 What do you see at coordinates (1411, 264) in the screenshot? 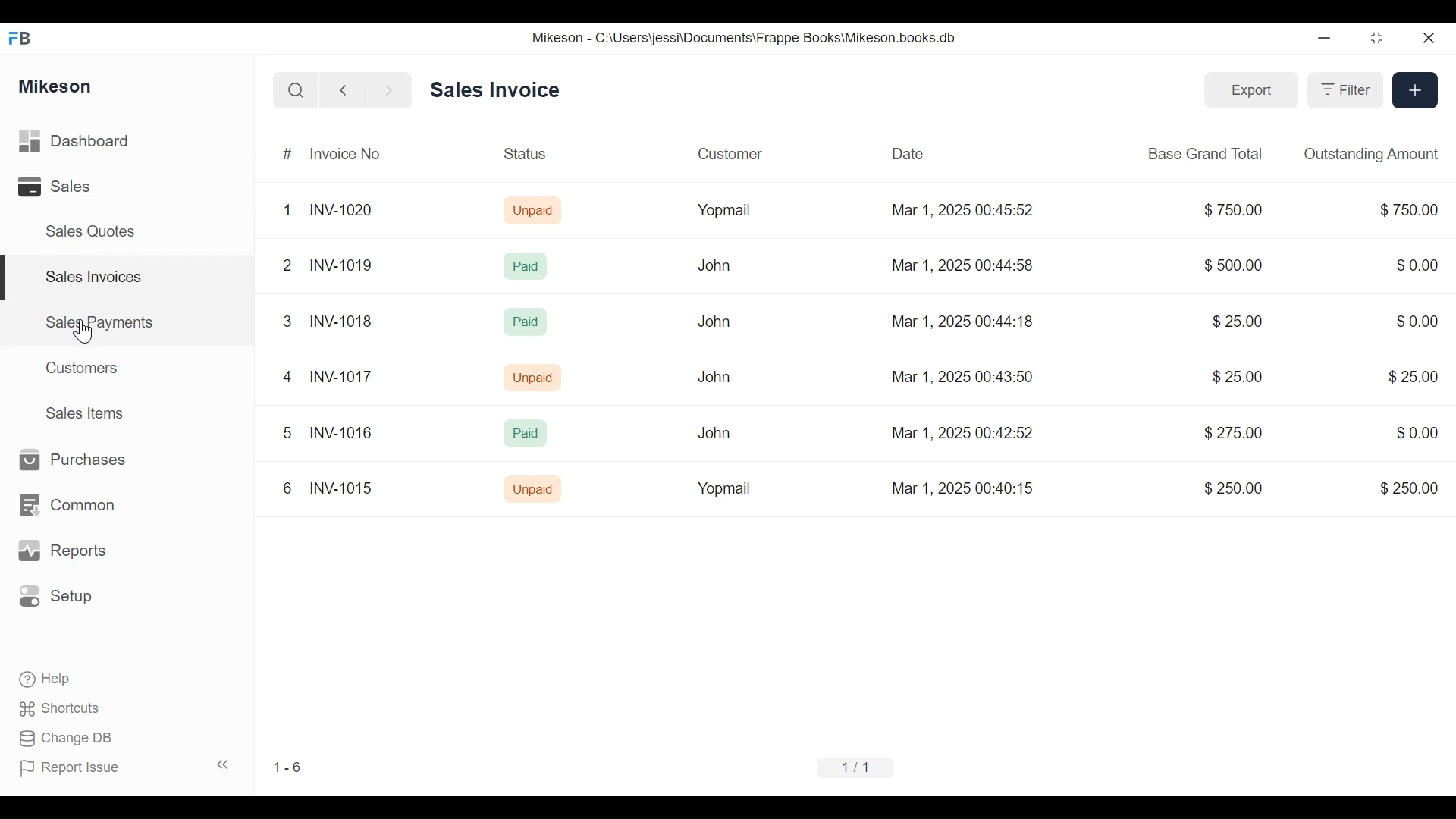
I see `0` at bounding box center [1411, 264].